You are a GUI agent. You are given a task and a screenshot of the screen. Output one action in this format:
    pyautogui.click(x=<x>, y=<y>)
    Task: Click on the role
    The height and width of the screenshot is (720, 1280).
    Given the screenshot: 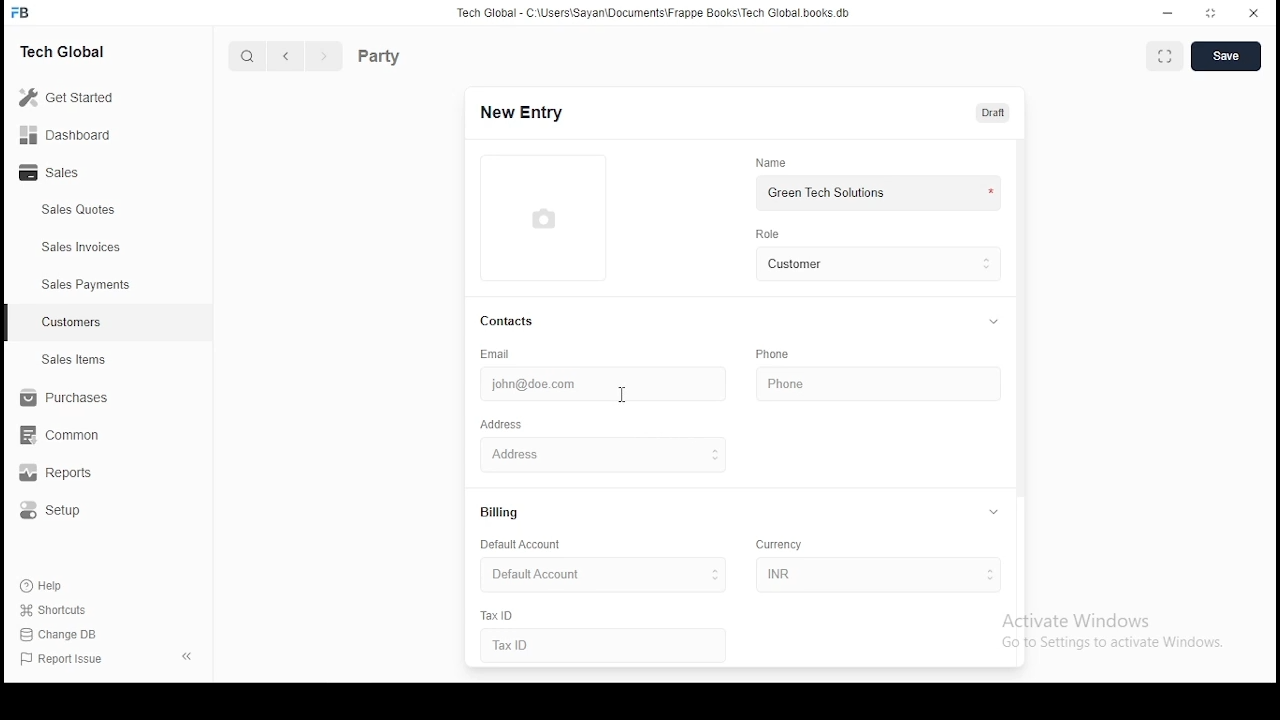 What is the action you would take?
    pyautogui.click(x=766, y=234)
    